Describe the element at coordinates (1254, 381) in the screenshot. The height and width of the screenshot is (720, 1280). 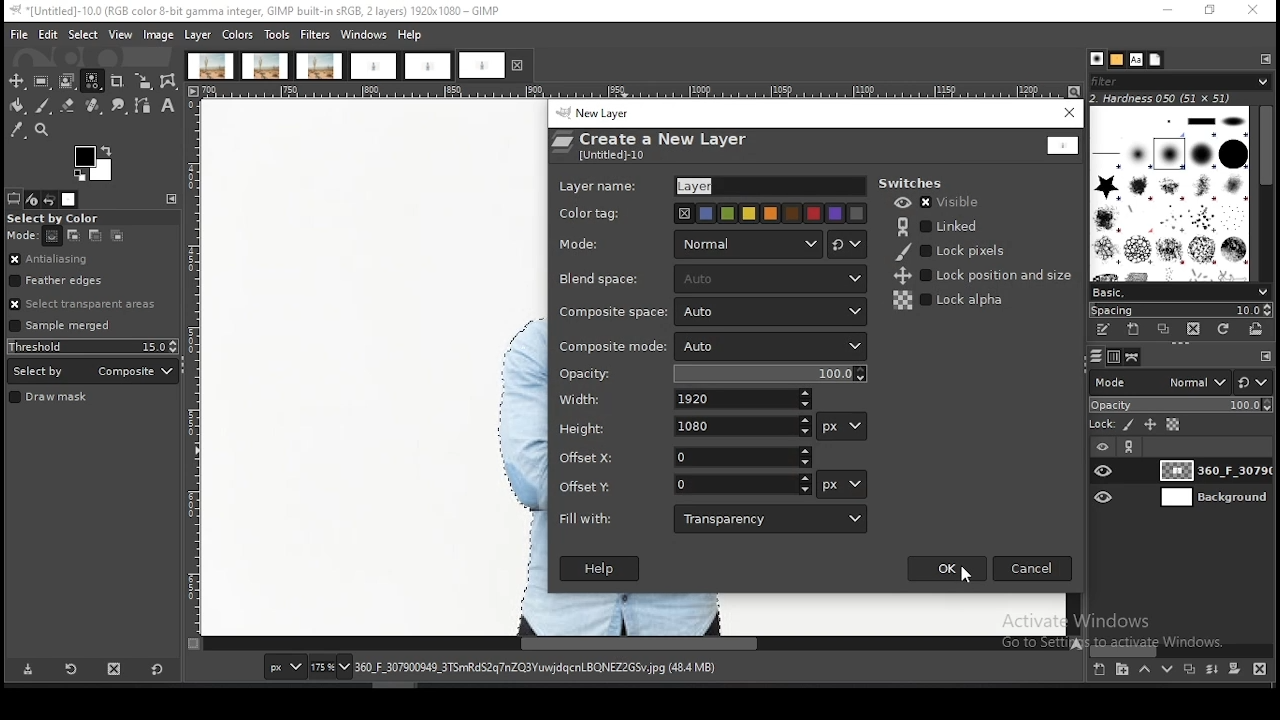
I see `reset` at that location.